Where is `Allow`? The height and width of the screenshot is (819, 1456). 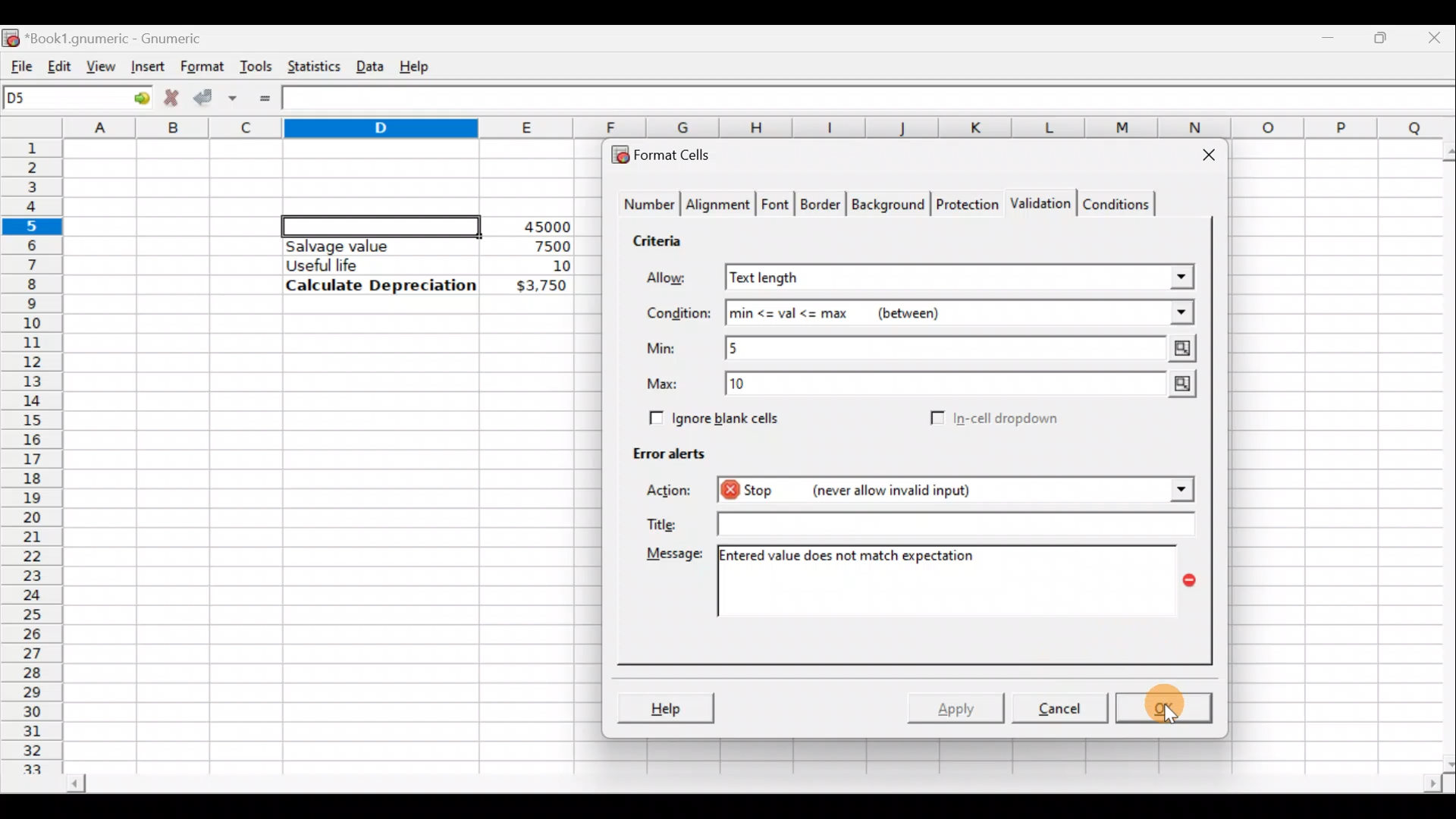
Allow is located at coordinates (677, 280).